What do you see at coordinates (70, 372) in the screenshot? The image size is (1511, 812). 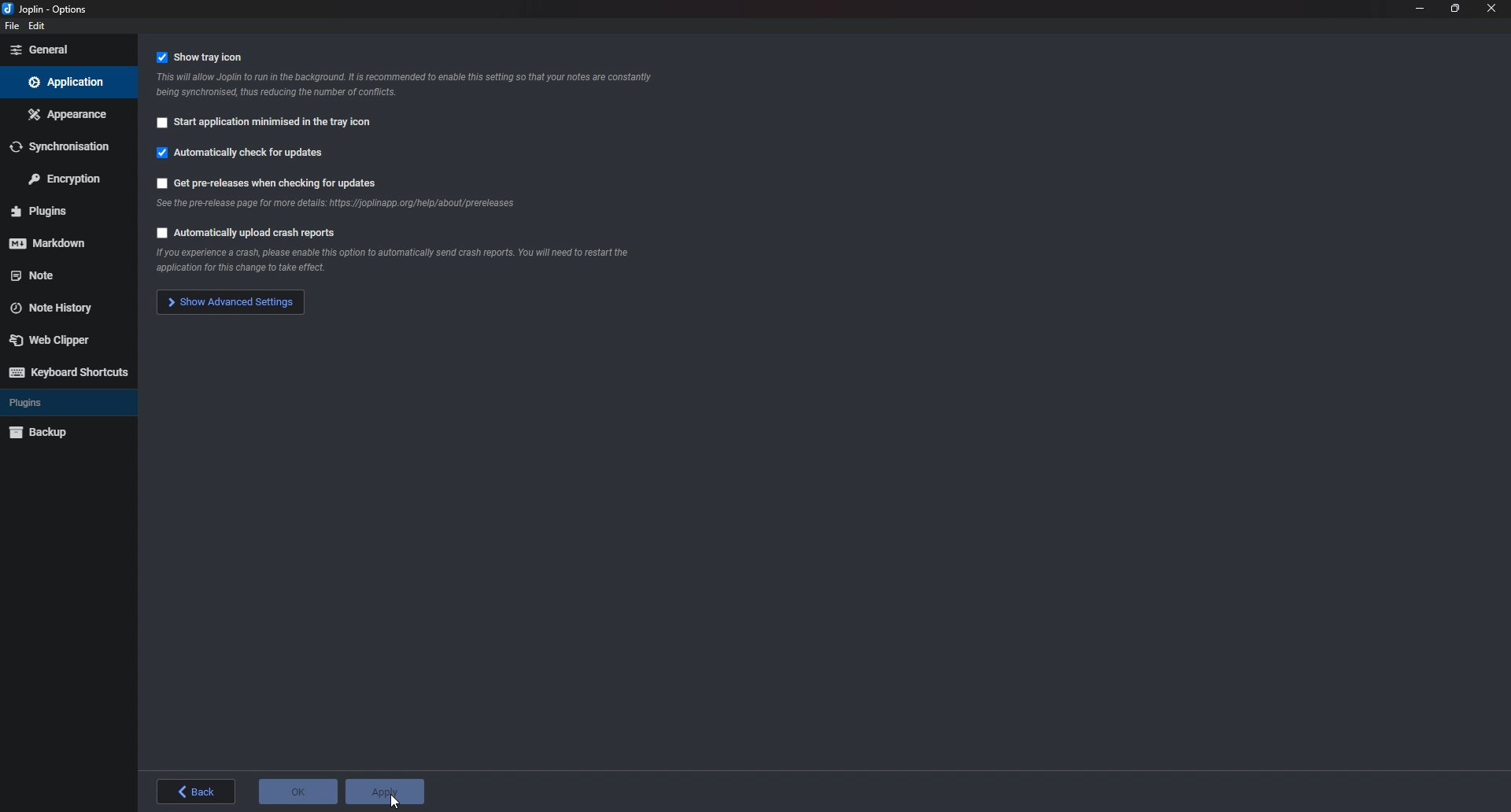 I see `Keyboard shortcuts` at bounding box center [70, 372].